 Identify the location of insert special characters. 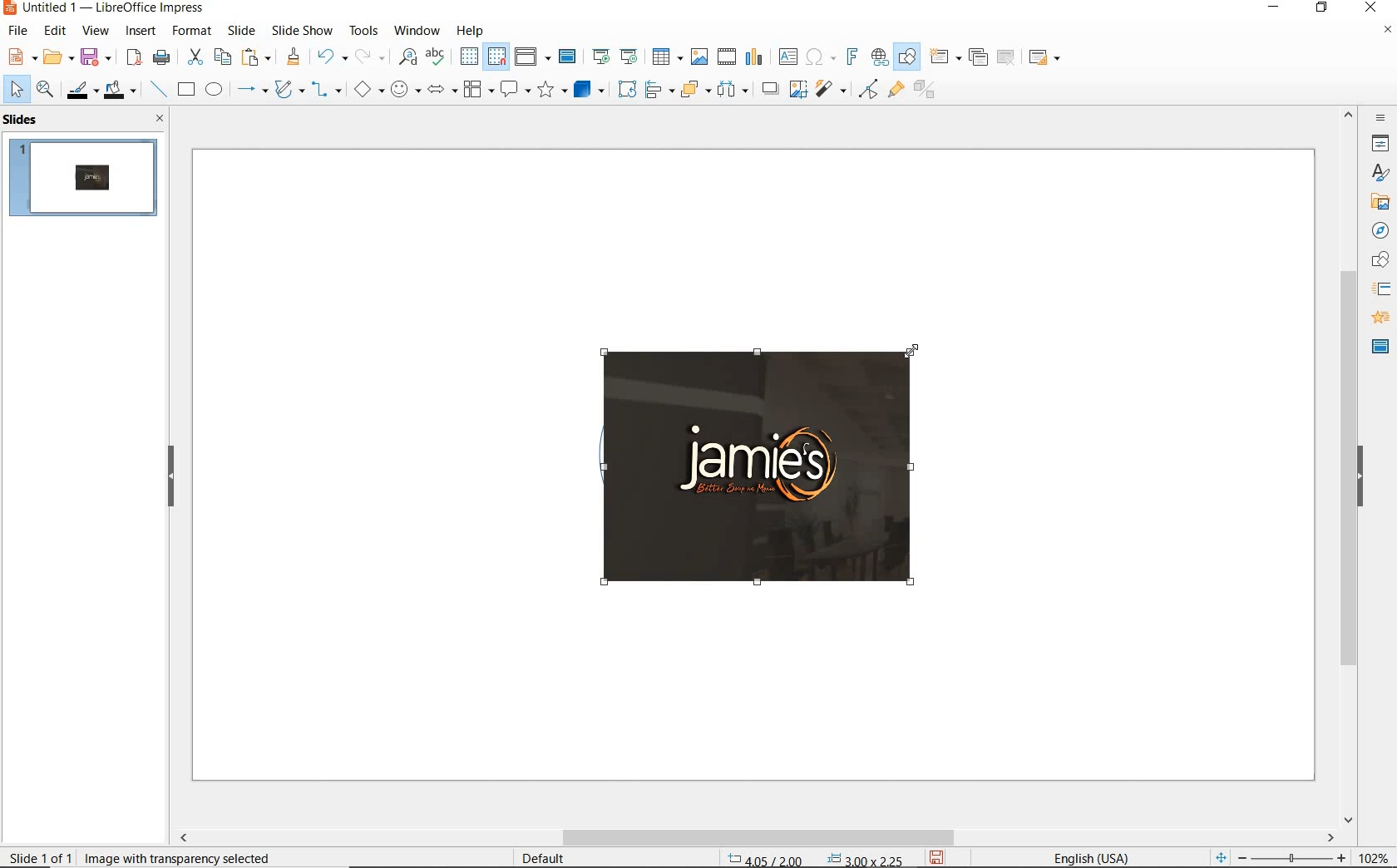
(817, 55).